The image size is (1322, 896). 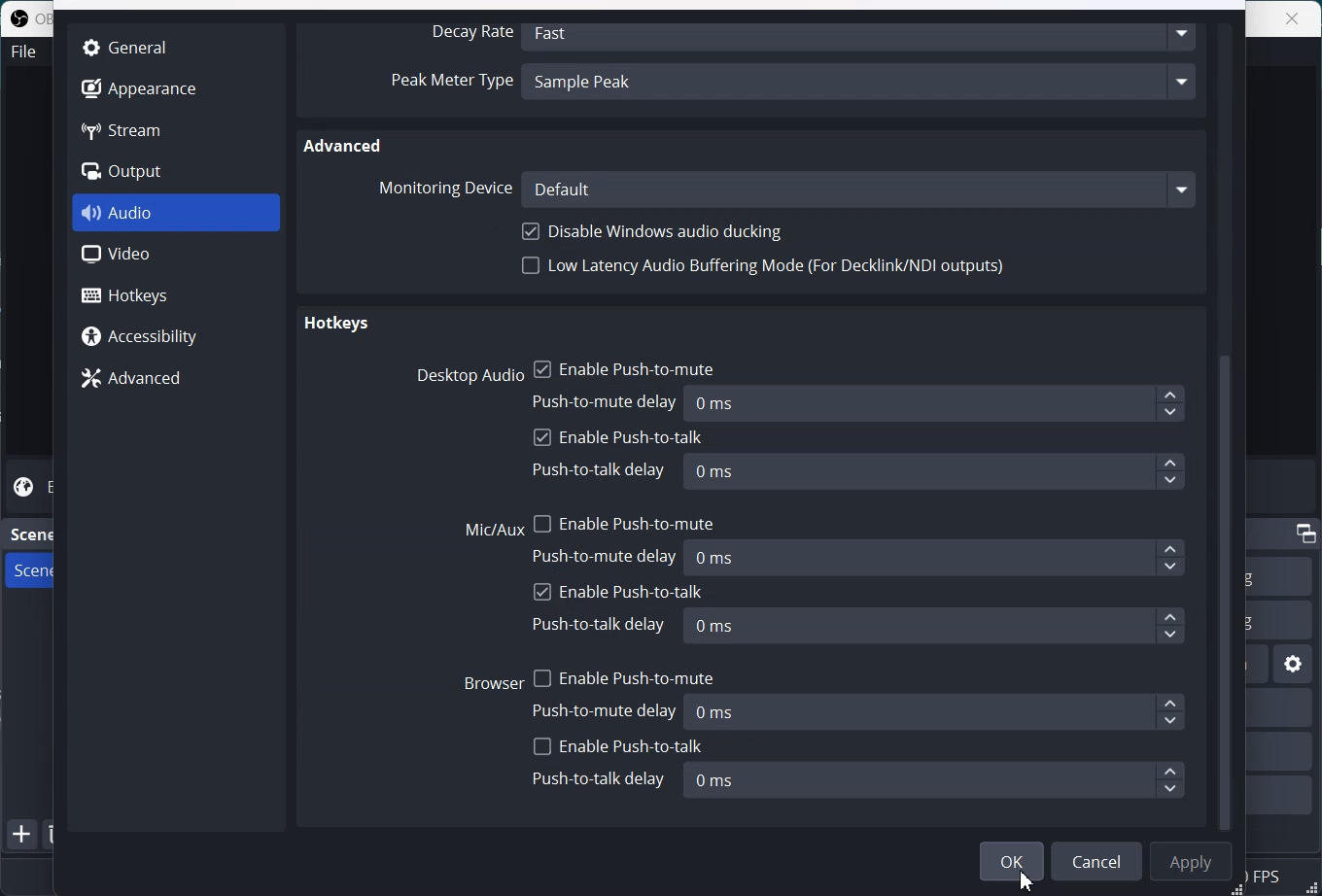 I want to click on Peak Meter Type, so click(x=451, y=84).